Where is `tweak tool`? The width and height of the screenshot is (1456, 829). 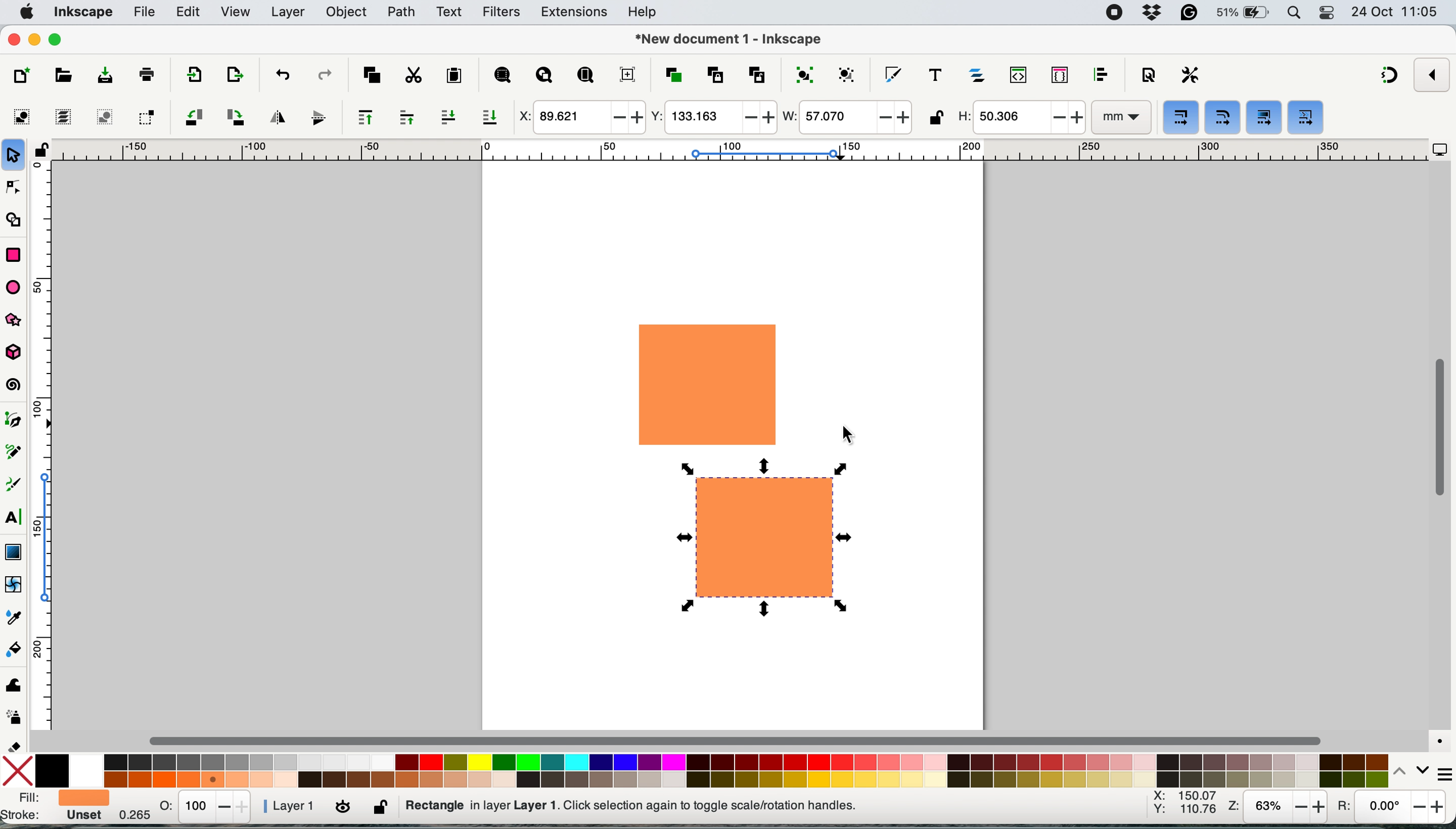 tweak tool is located at coordinates (13, 683).